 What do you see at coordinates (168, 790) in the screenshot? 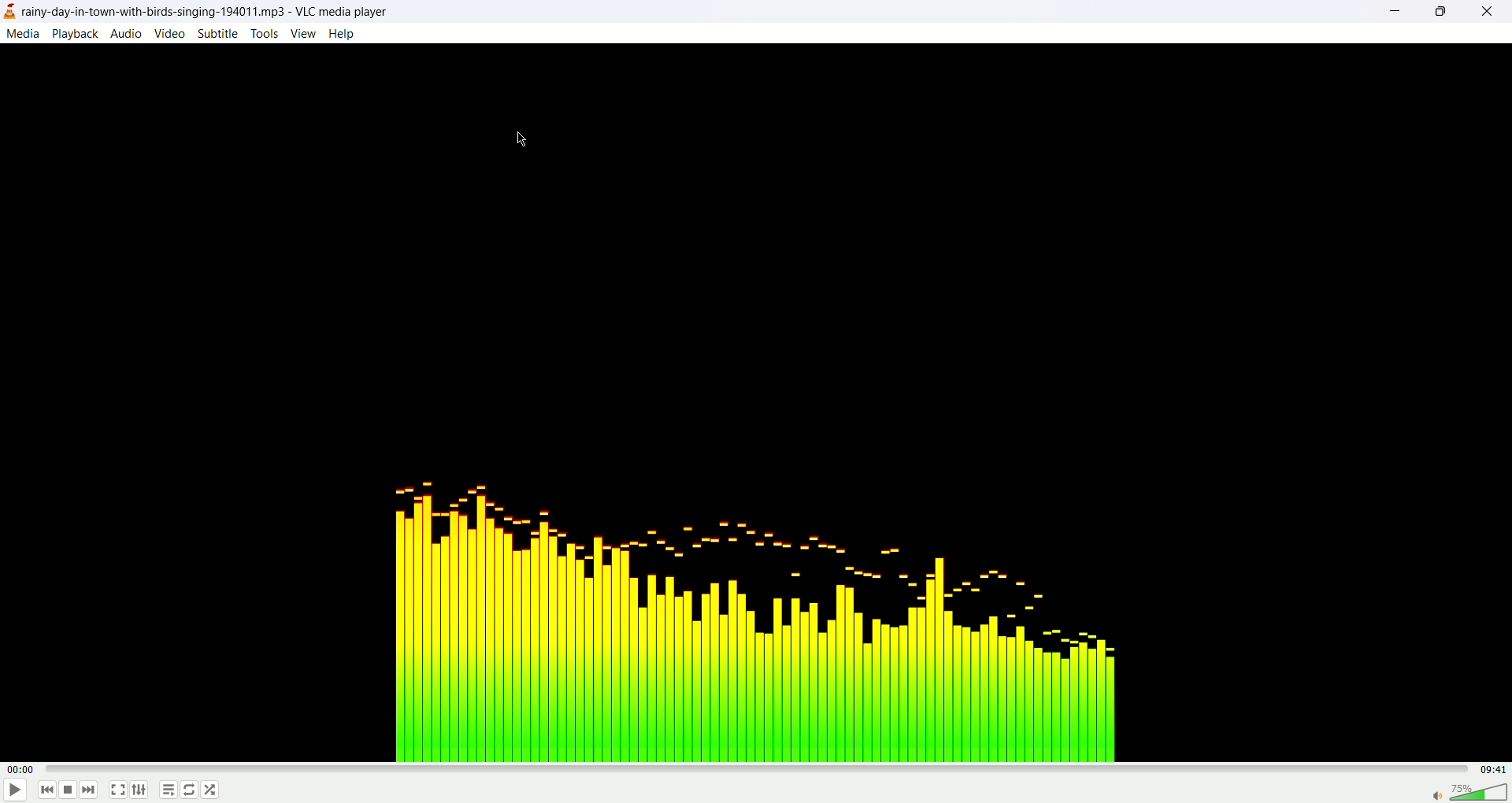
I see `playlist` at bounding box center [168, 790].